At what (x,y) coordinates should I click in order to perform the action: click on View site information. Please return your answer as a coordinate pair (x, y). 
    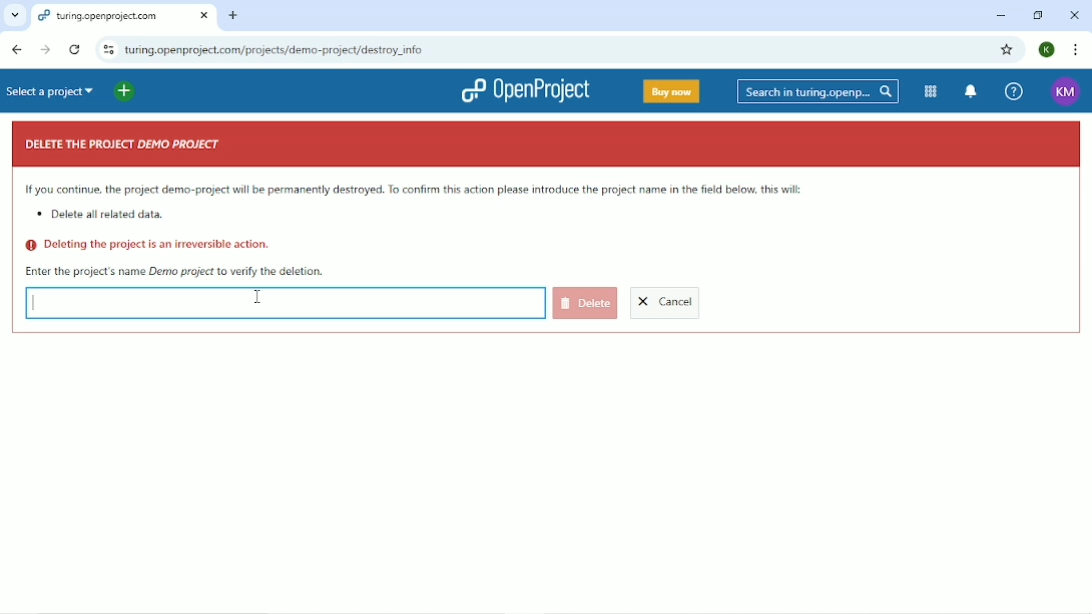
    Looking at the image, I should click on (108, 48).